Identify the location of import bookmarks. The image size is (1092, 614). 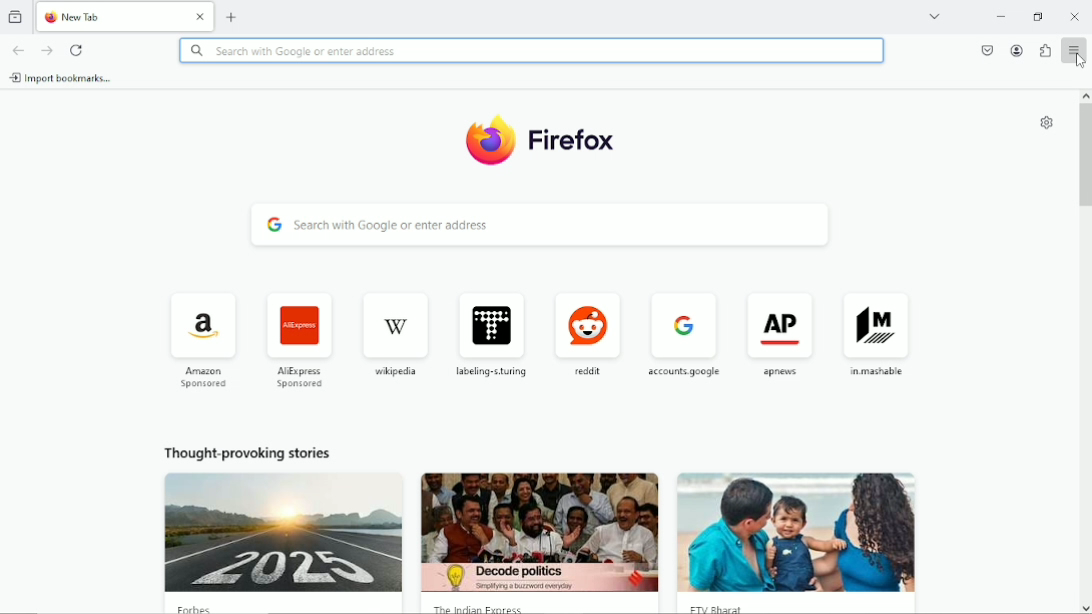
(65, 79).